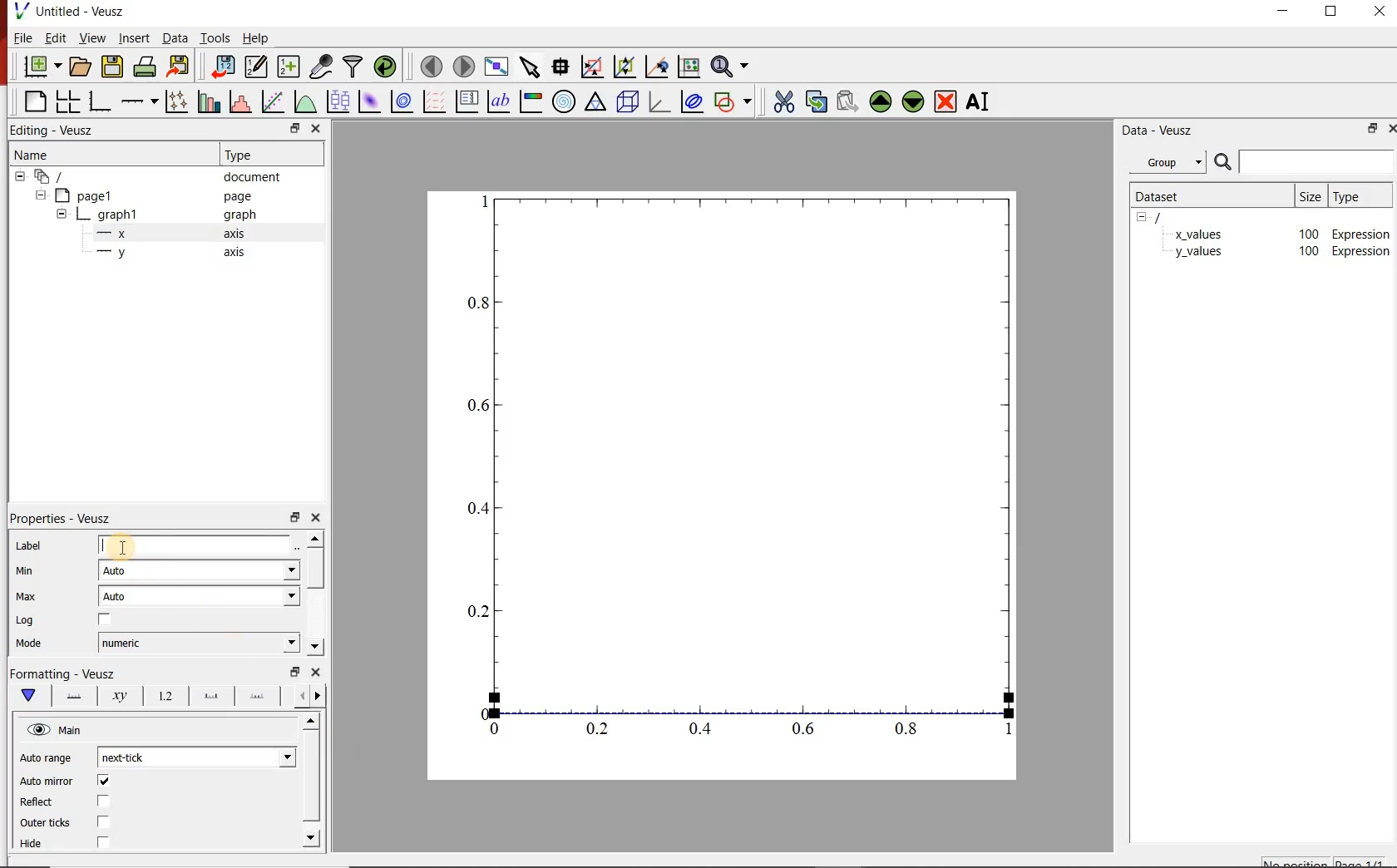  What do you see at coordinates (597, 104) in the screenshot?
I see `ternary graph` at bounding box center [597, 104].